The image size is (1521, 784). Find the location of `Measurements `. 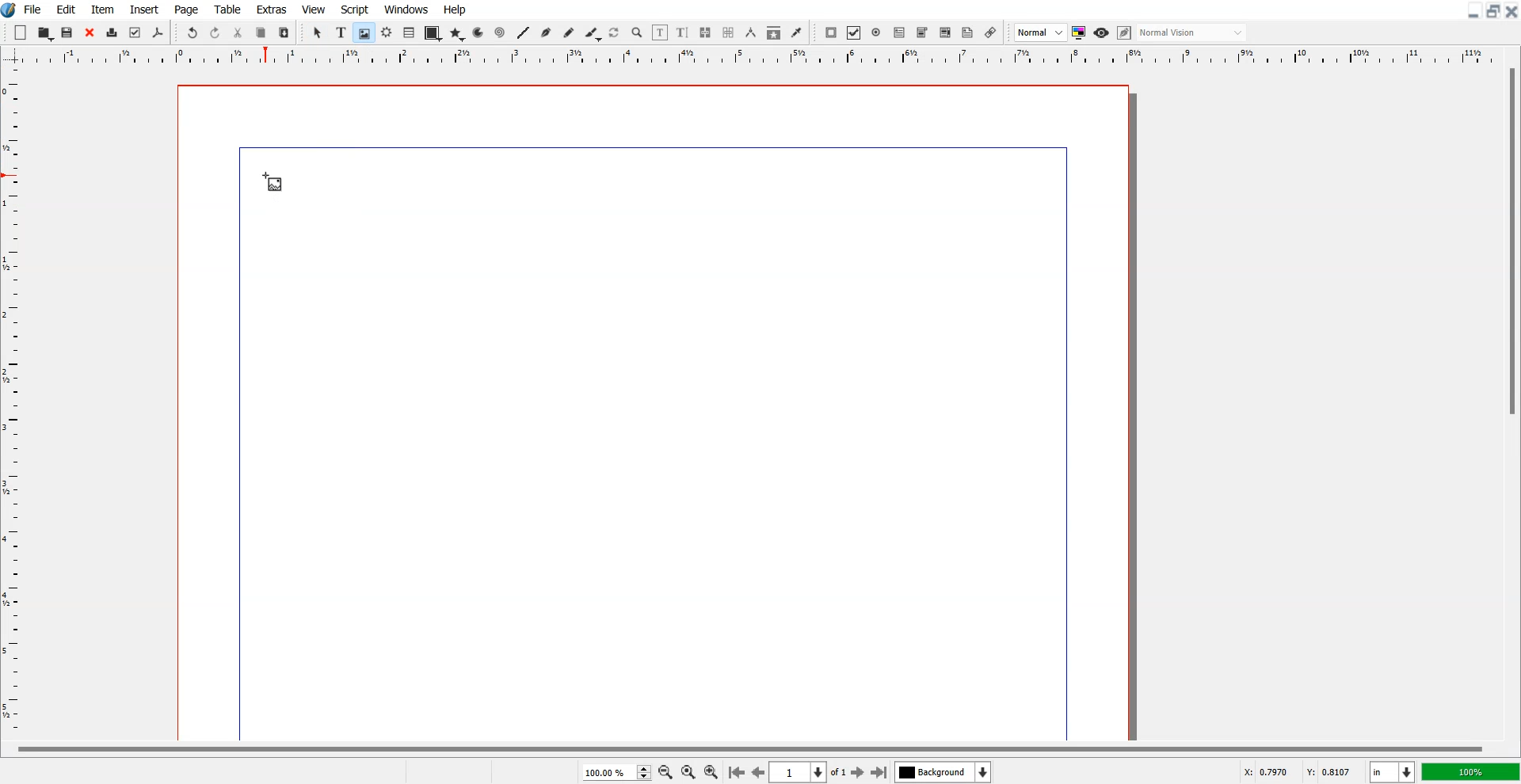

Measurements  is located at coordinates (750, 32).